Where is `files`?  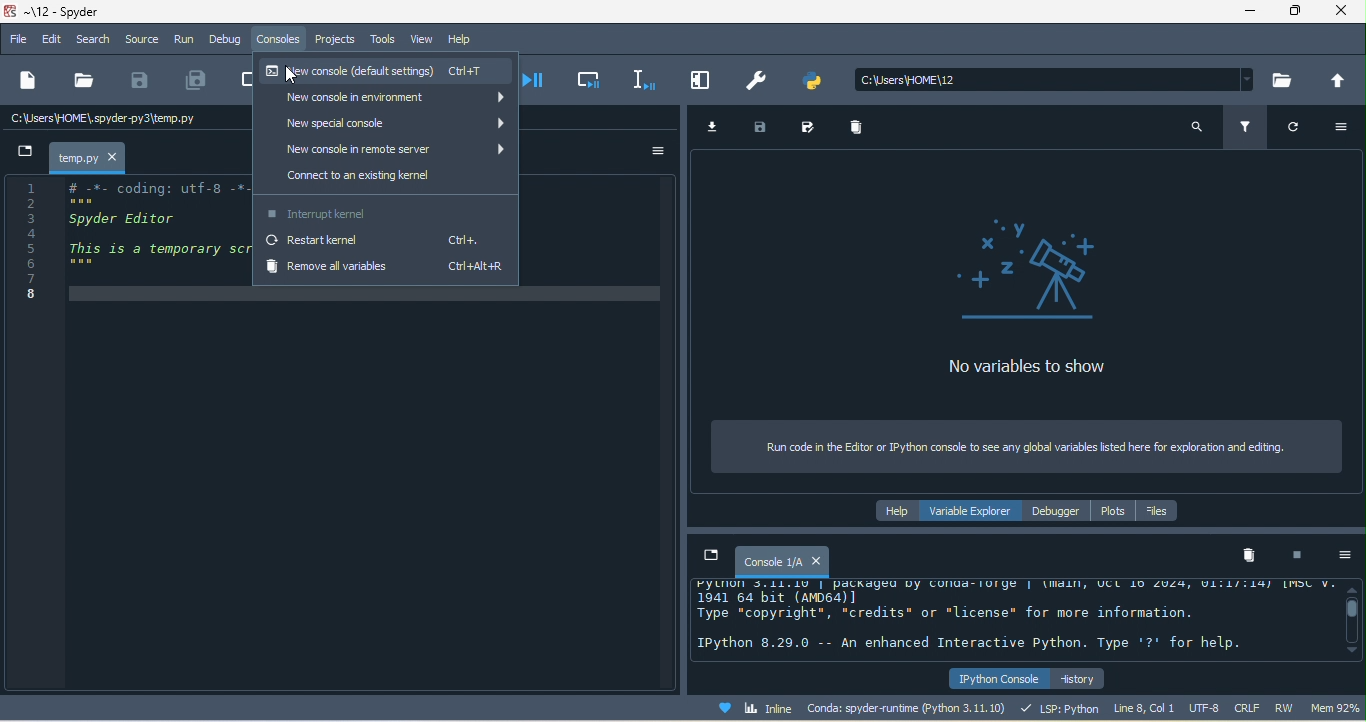 files is located at coordinates (1163, 512).